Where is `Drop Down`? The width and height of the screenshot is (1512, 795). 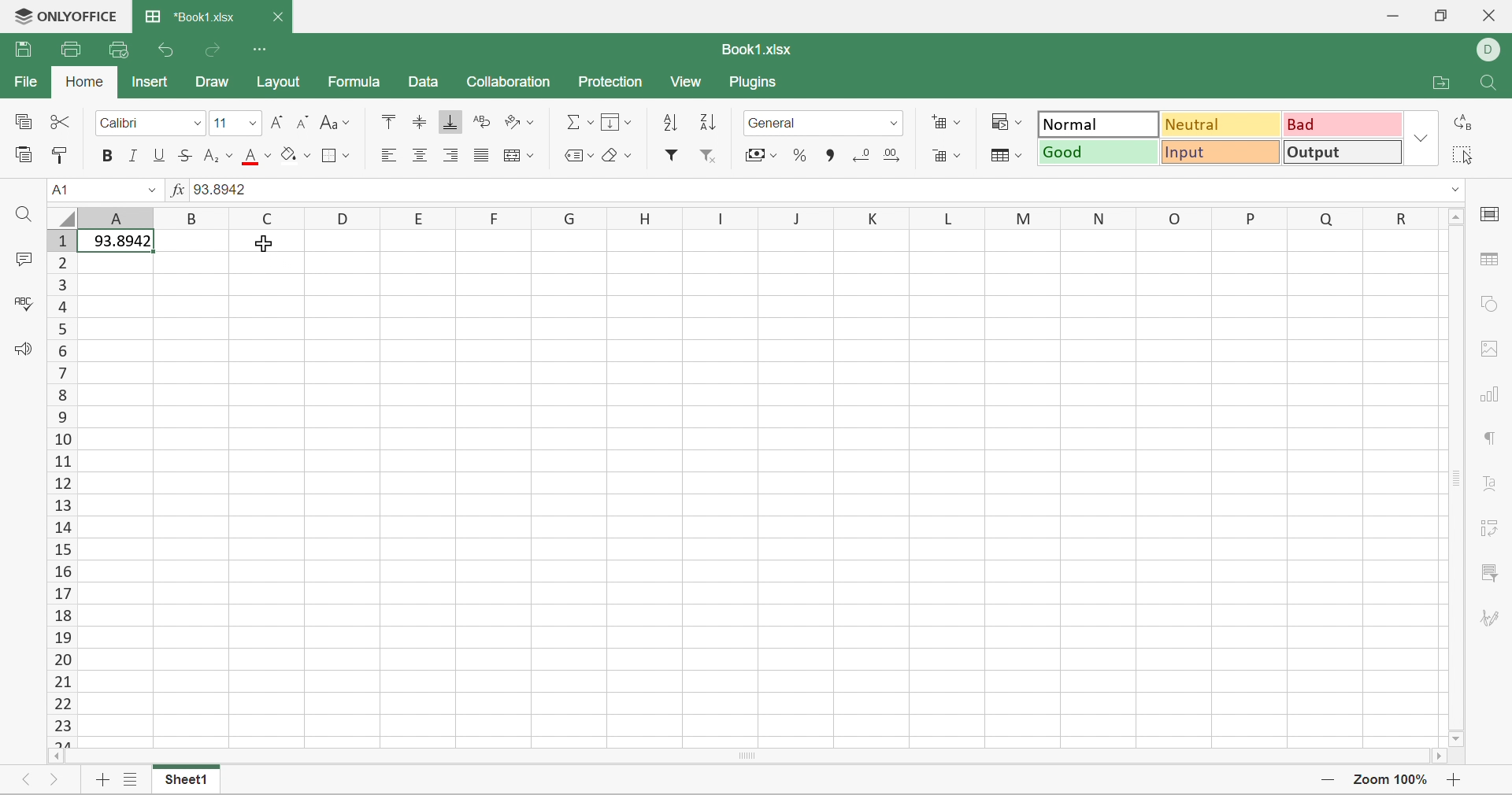 Drop Down is located at coordinates (1421, 138).